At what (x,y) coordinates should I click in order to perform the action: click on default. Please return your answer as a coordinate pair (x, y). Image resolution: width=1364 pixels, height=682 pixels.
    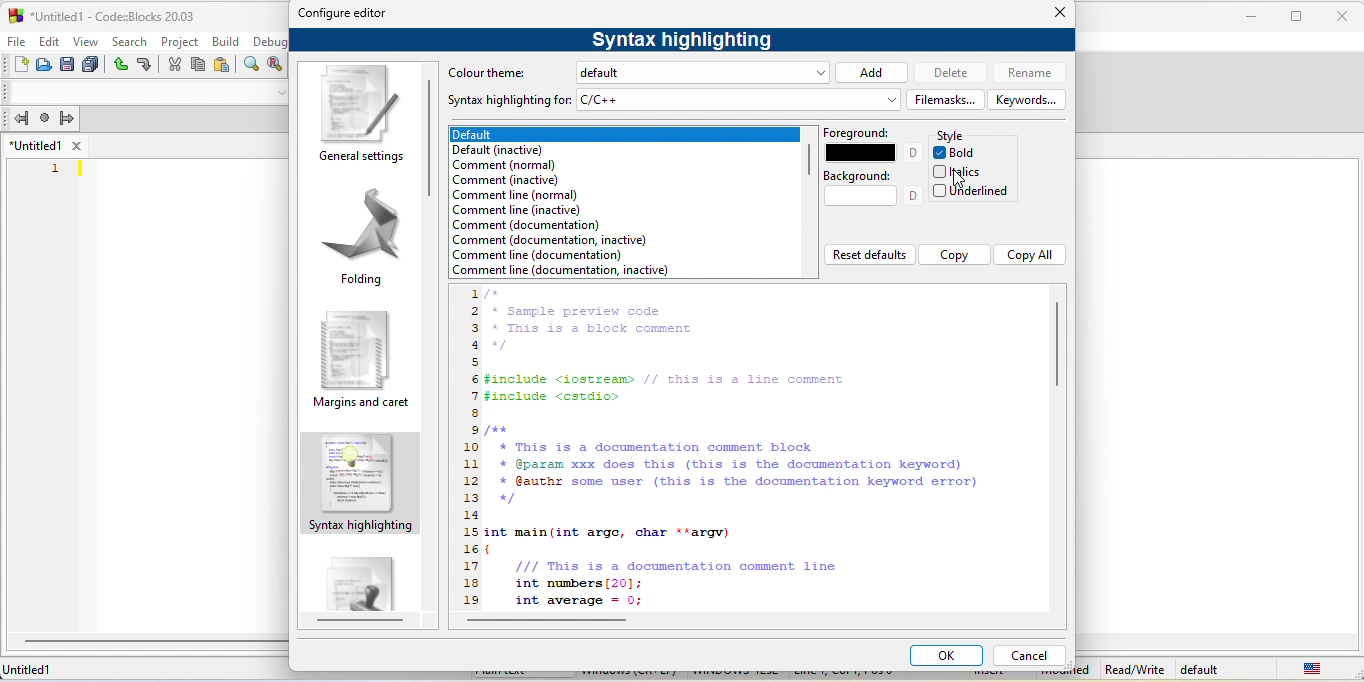
    Looking at the image, I should click on (624, 135).